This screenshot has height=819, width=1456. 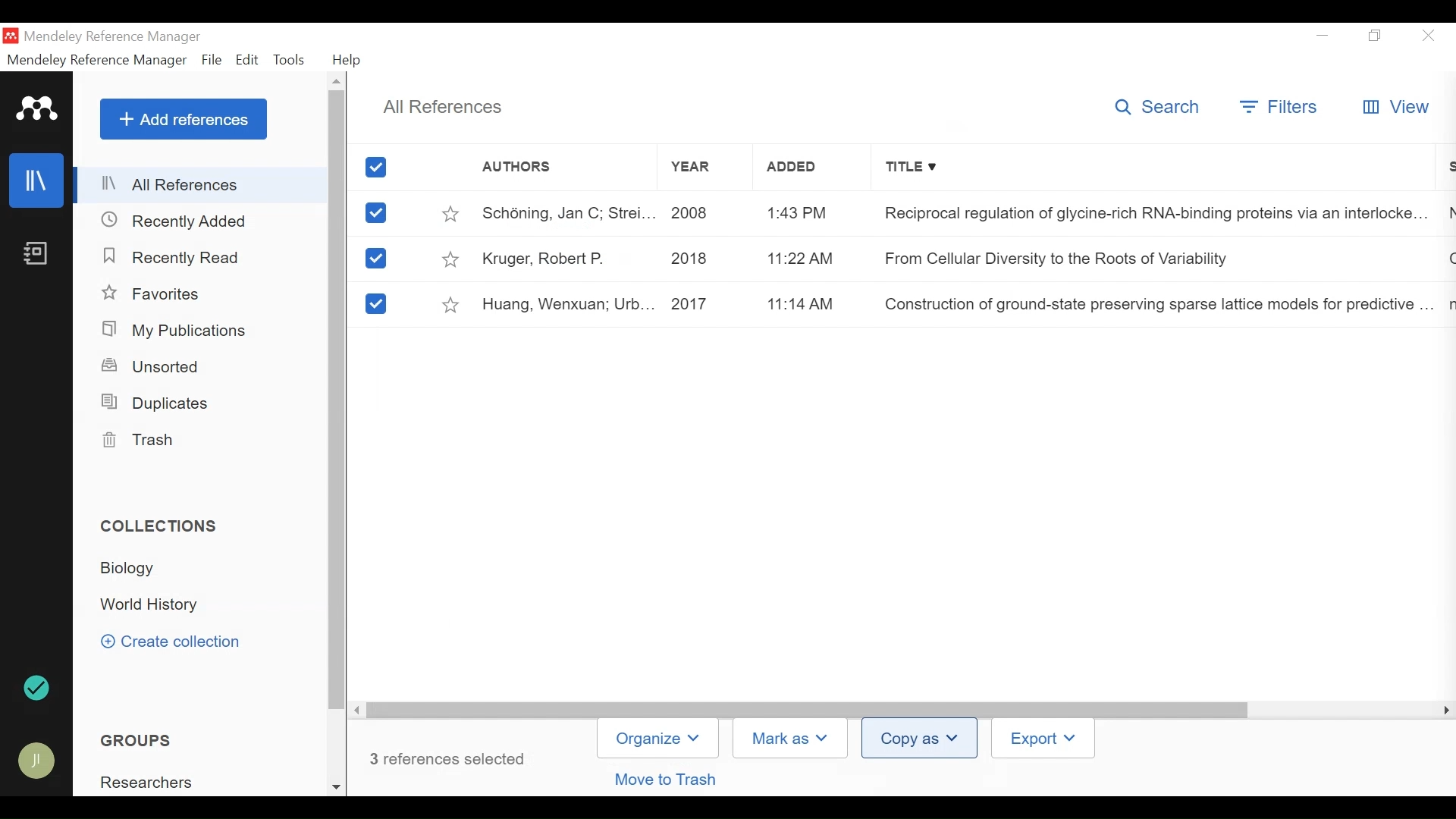 I want to click on Schoning, Jan C; Strei..., so click(x=567, y=212).